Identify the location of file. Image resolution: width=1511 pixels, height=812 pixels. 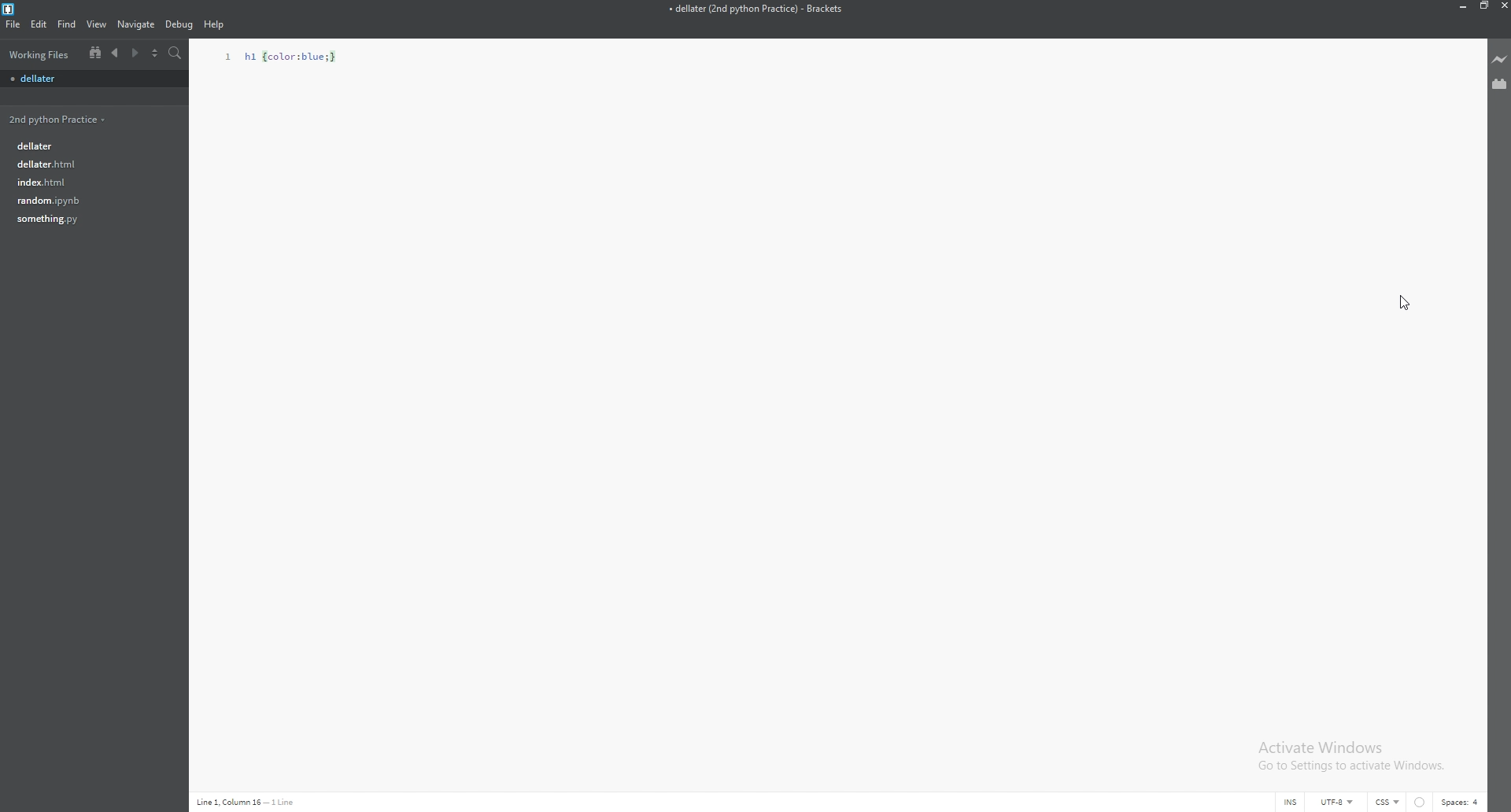
(86, 200).